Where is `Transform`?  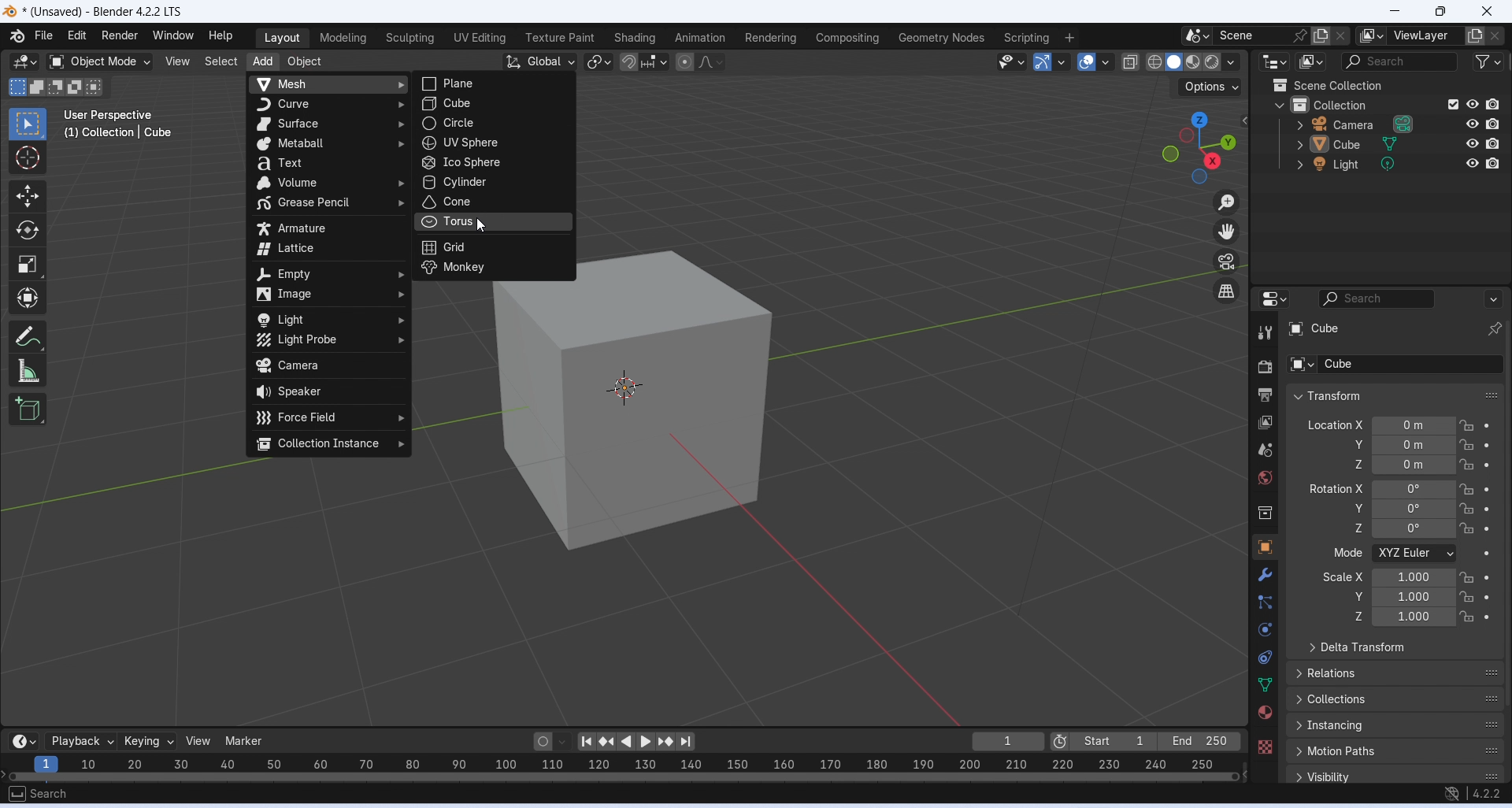 Transform is located at coordinates (28, 298).